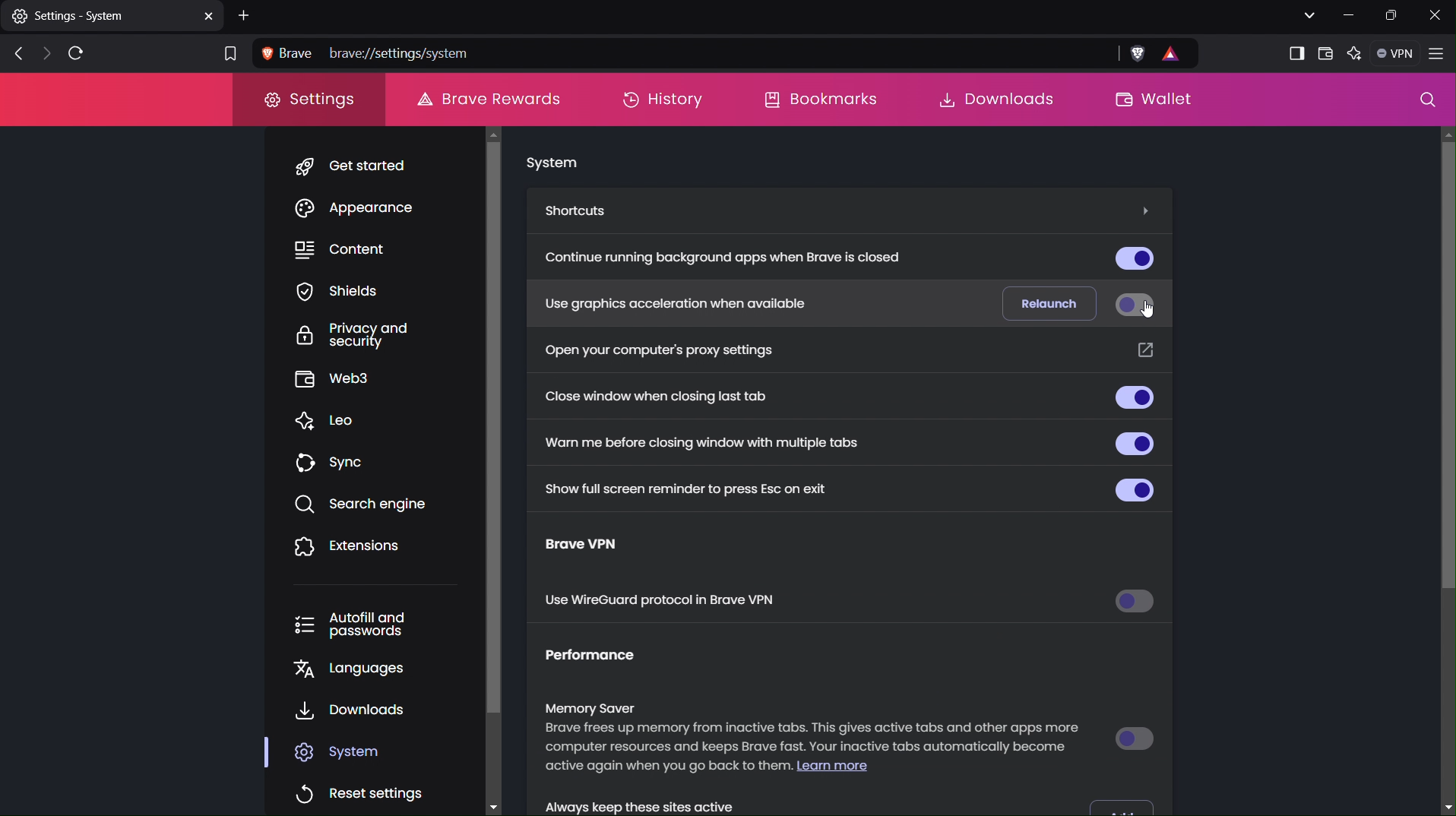 This screenshot has height=816, width=1456. I want to click on Downloads, so click(993, 99).